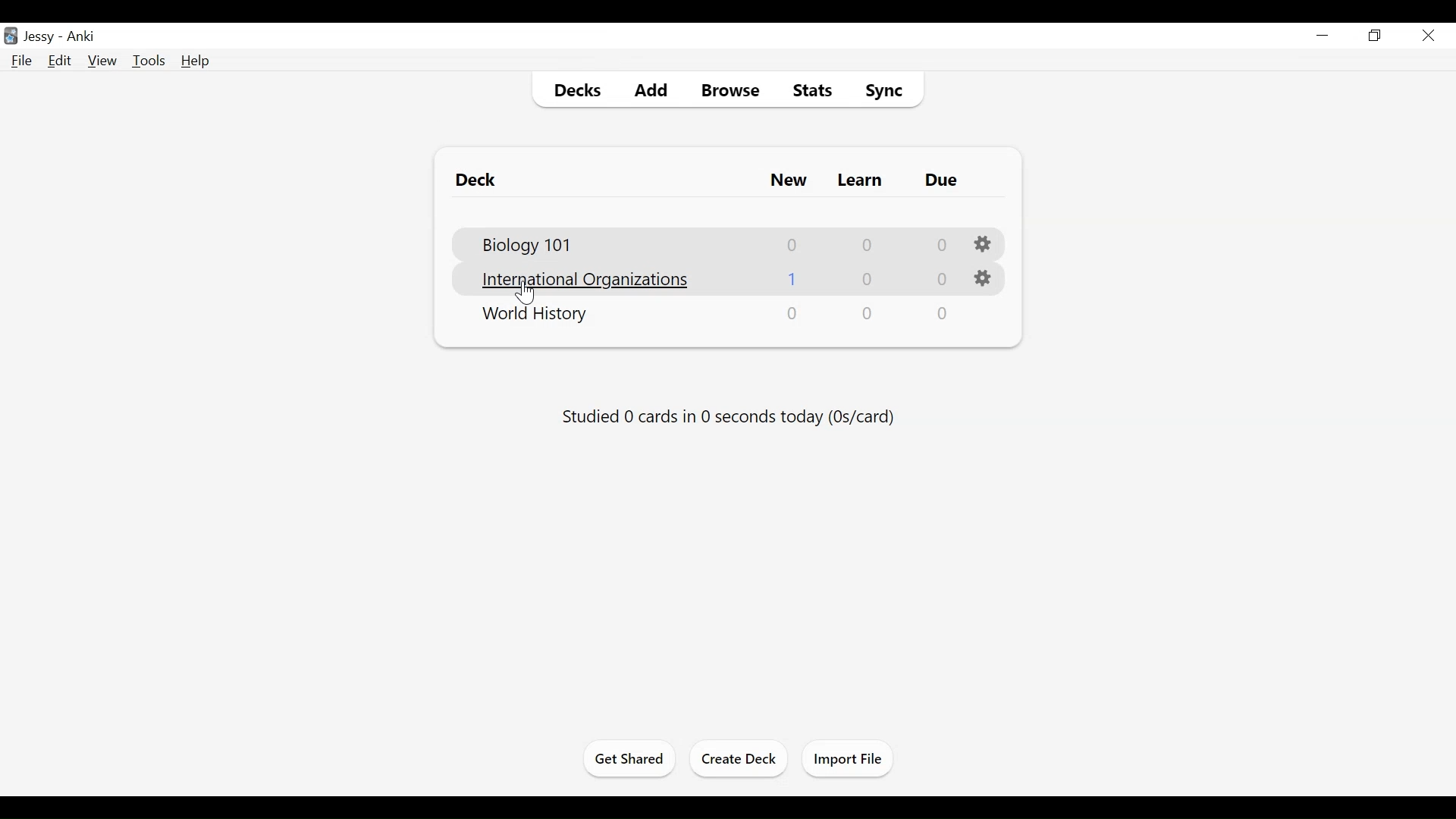 The width and height of the screenshot is (1456, 819). Describe the element at coordinates (792, 315) in the screenshot. I see `0` at that location.